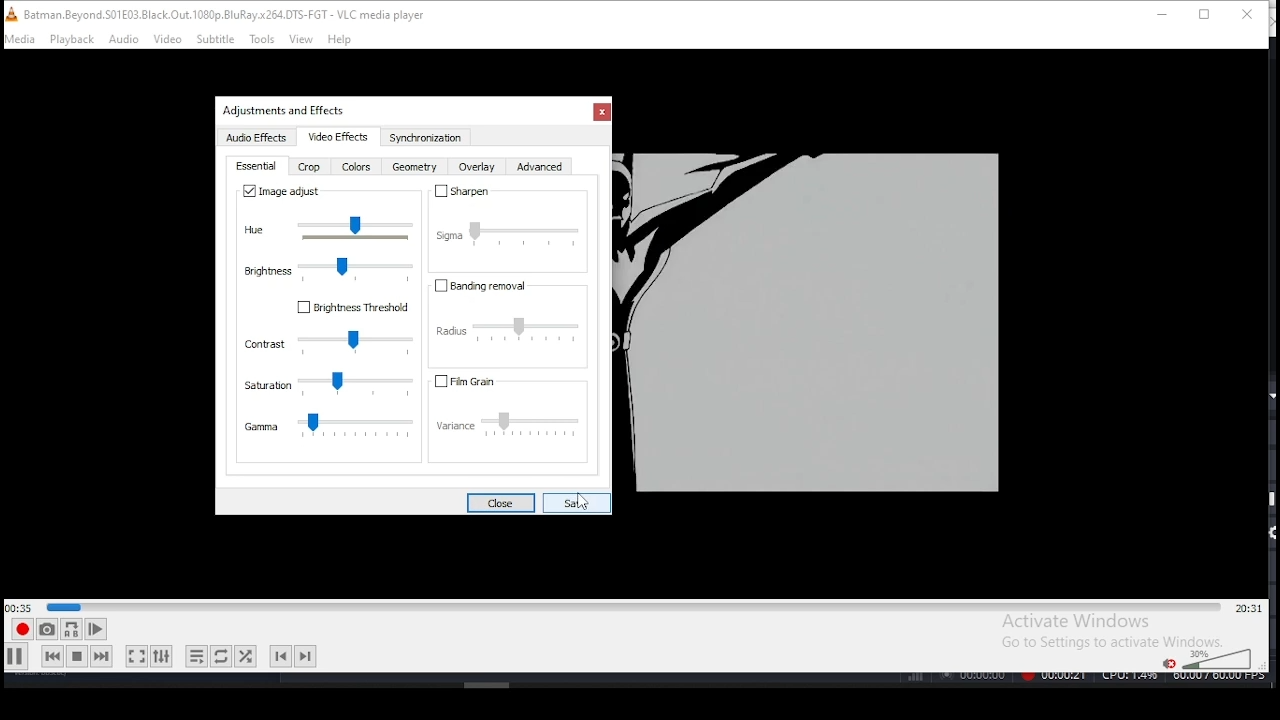 This screenshot has width=1280, height=720. Describe the element at coordinates (328, 267) in the screenshot. I see `brightness` at that location.